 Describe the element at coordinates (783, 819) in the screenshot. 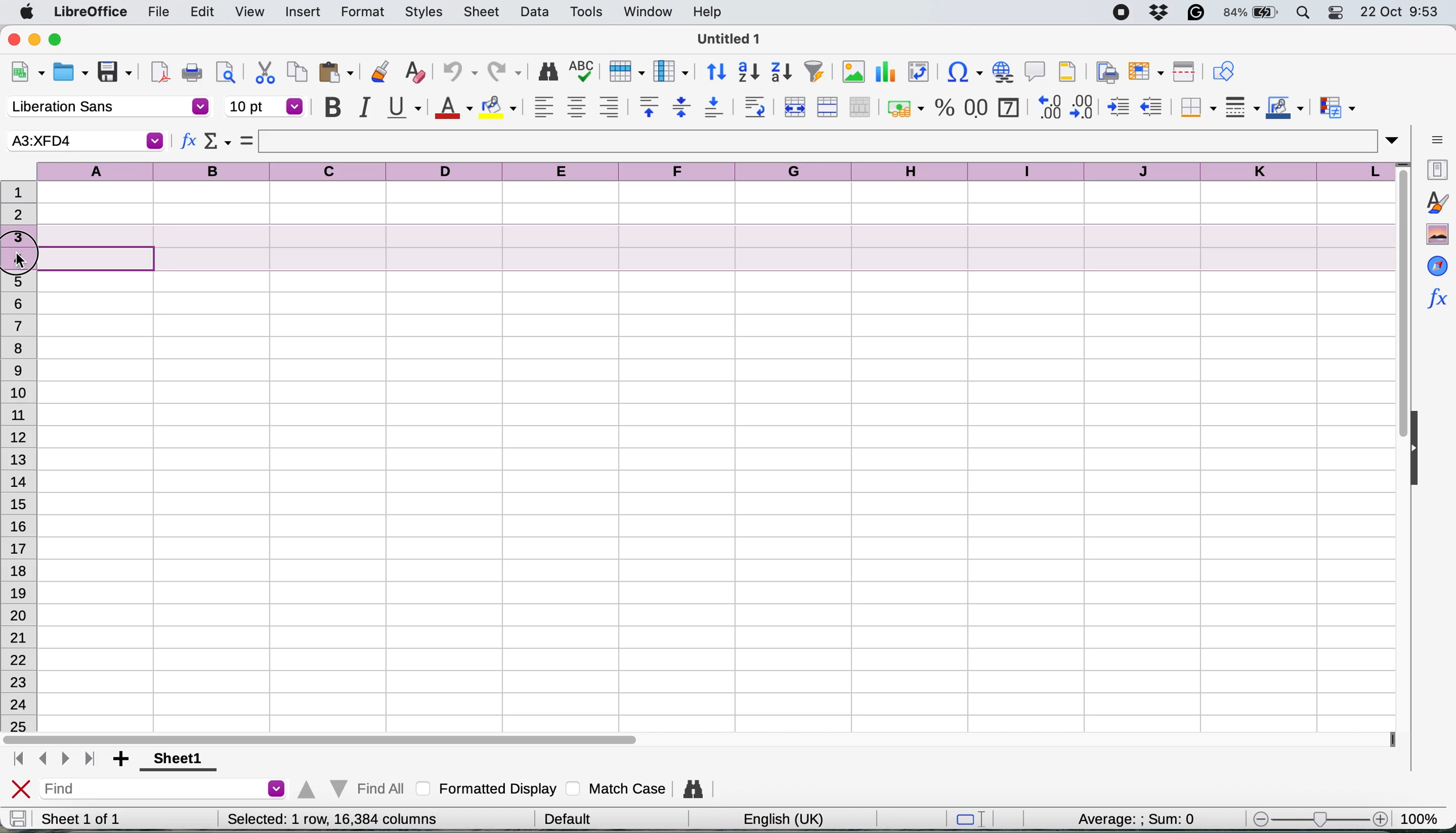

I see `english uk` at that location.